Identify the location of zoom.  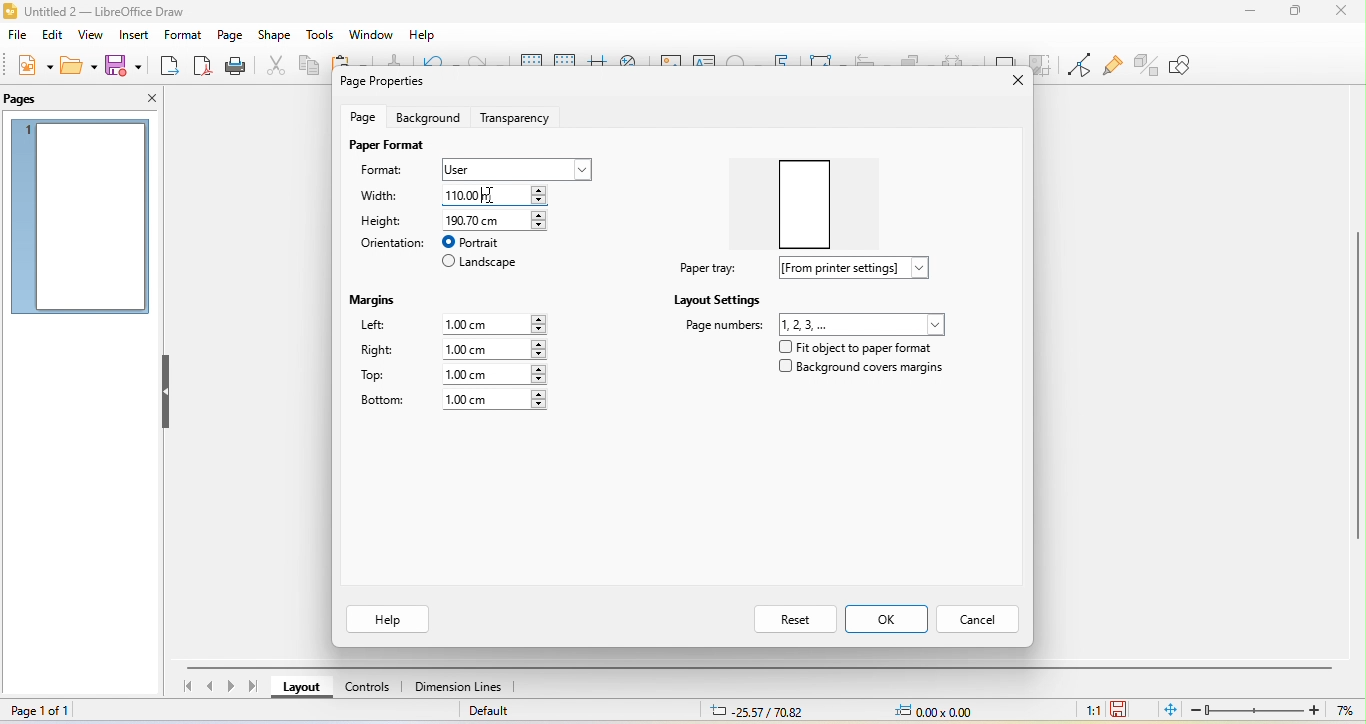
(1276, 710).